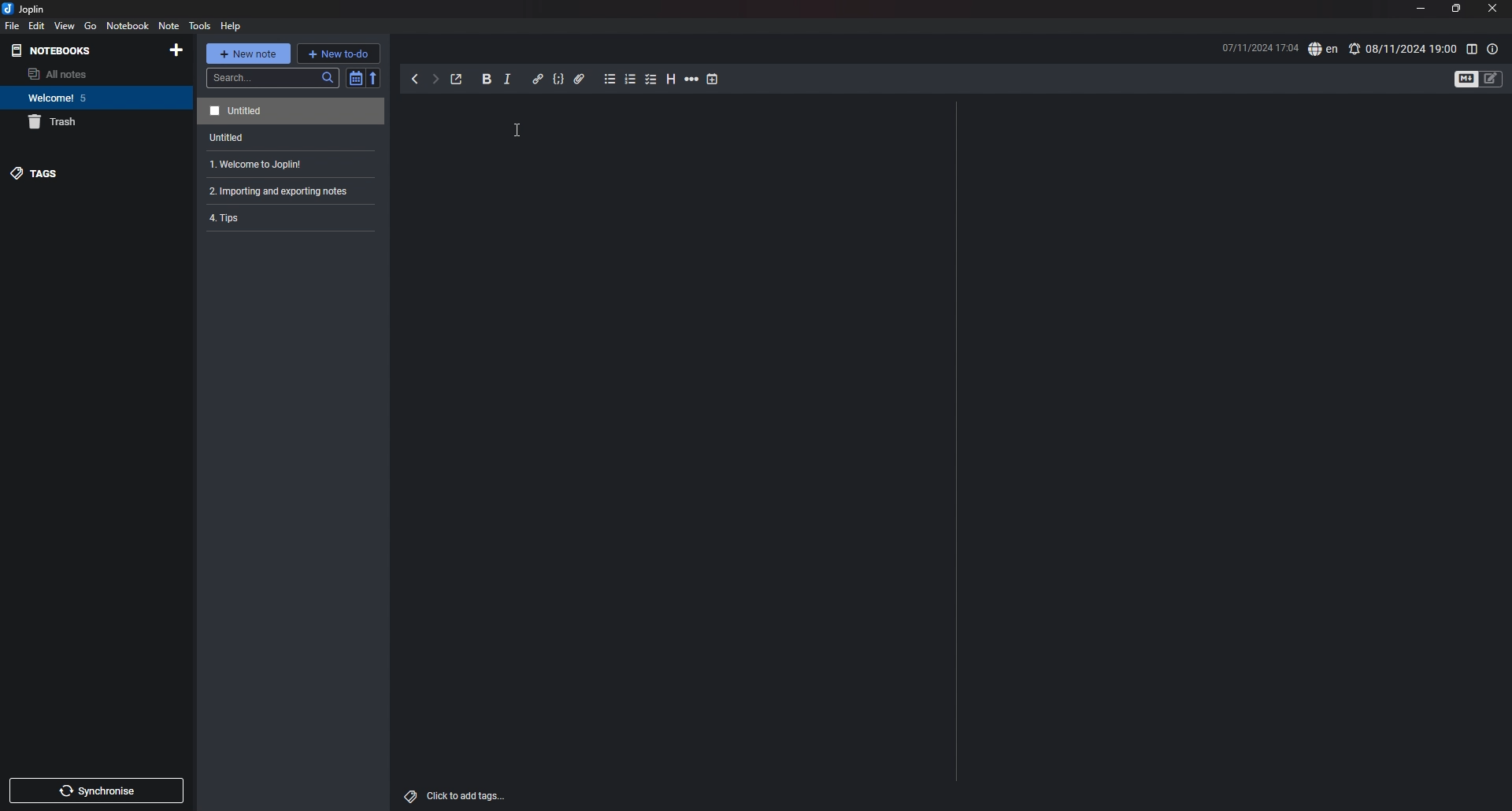 The image size is (1512, 811). I want to click on note, so click(169, 26).